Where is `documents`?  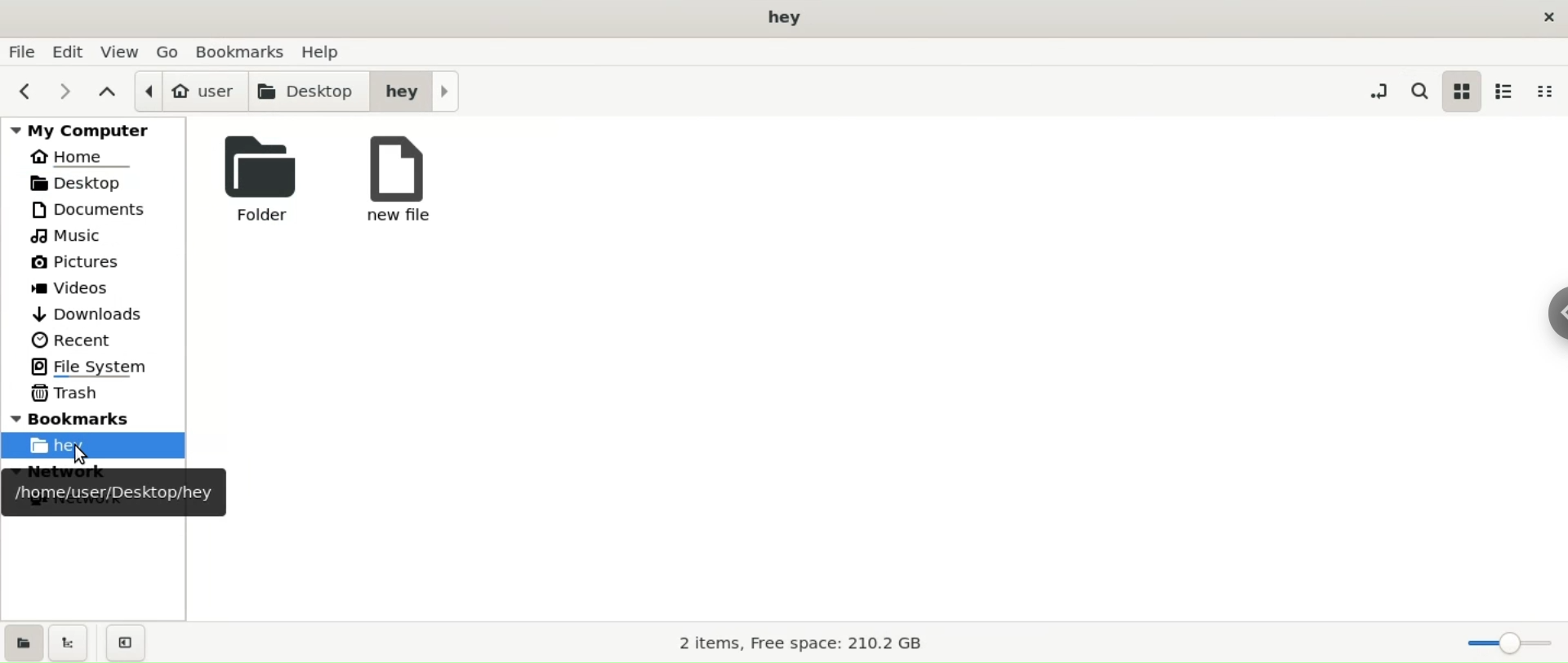
documents is located at coordinates (91, 211).